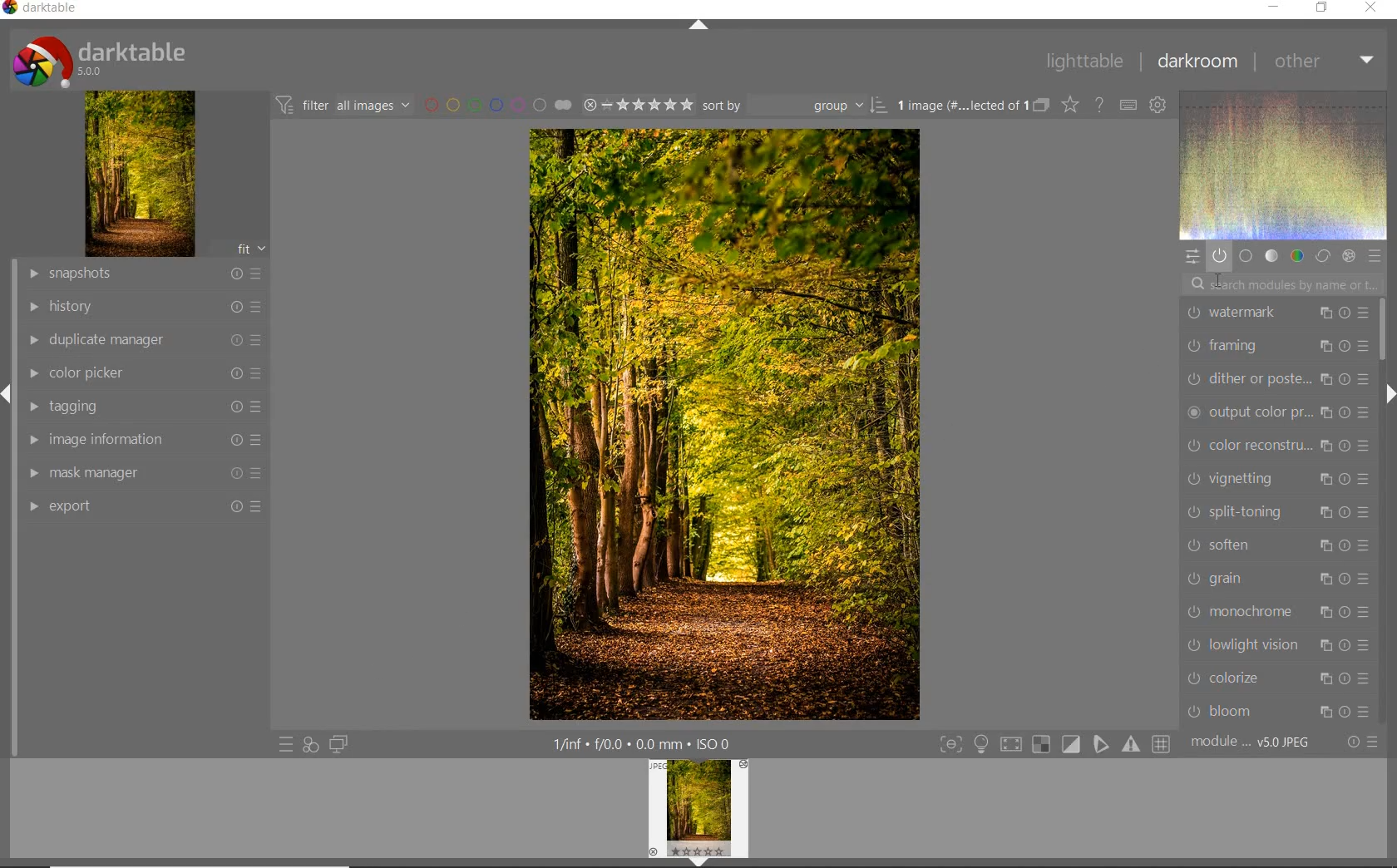 This screenshot has height=868, width=1397. Describe the element at coordinates (1281, 610) in the screenshot. I see `monochrome` at that location.